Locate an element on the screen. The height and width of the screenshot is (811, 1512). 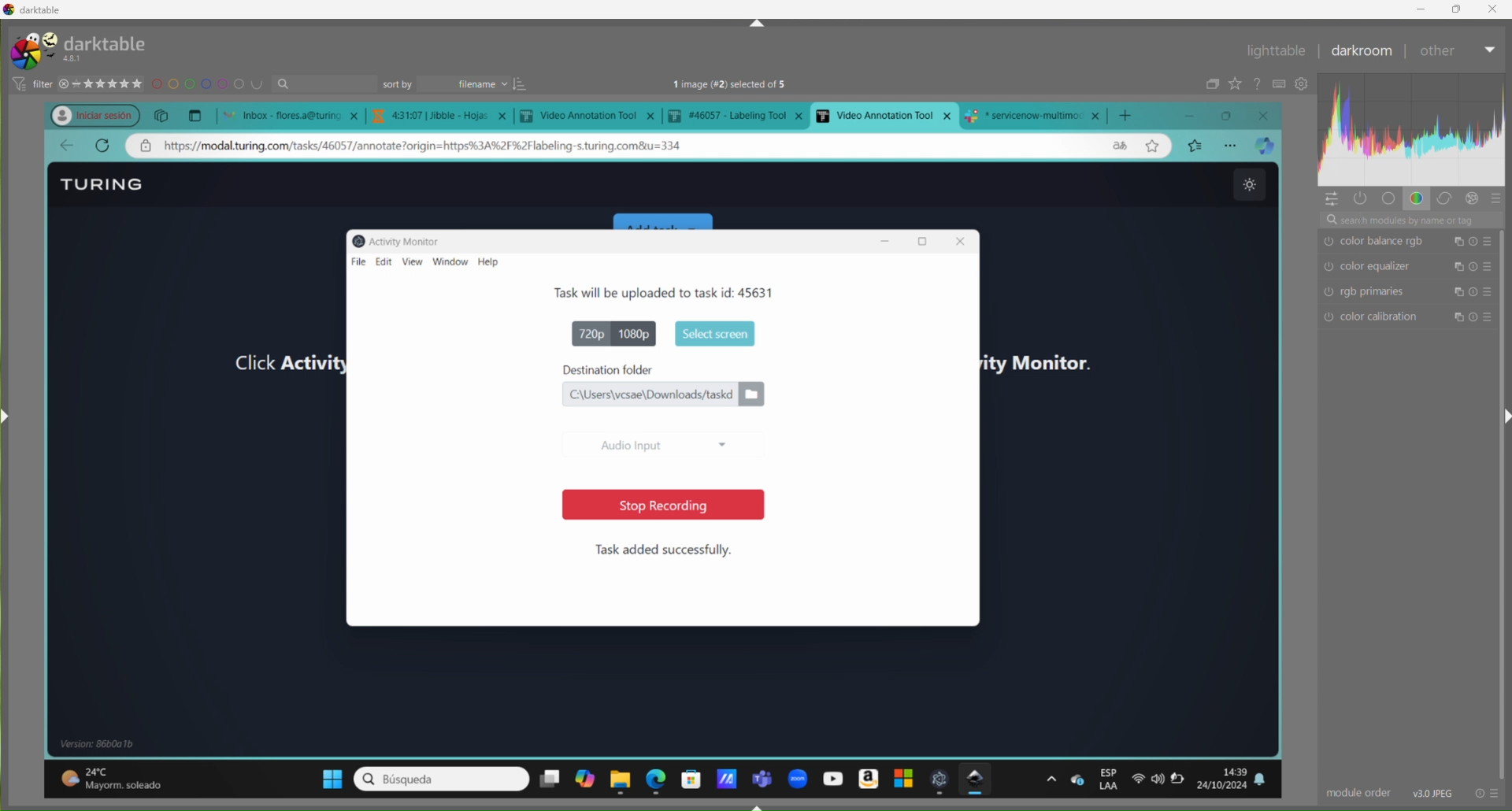
copy is located at coordinates (163, 115).